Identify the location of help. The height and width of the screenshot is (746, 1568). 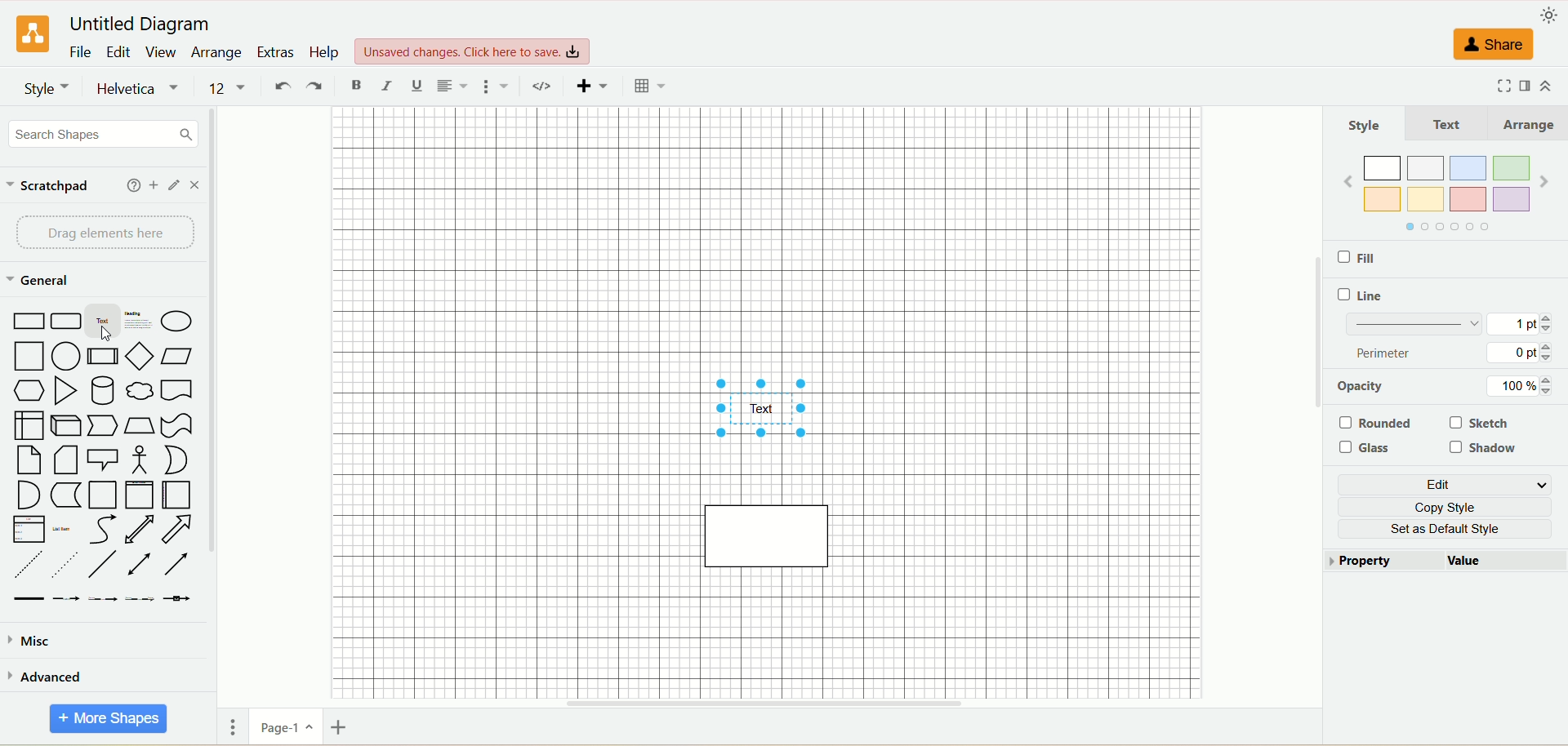
(323, 52).